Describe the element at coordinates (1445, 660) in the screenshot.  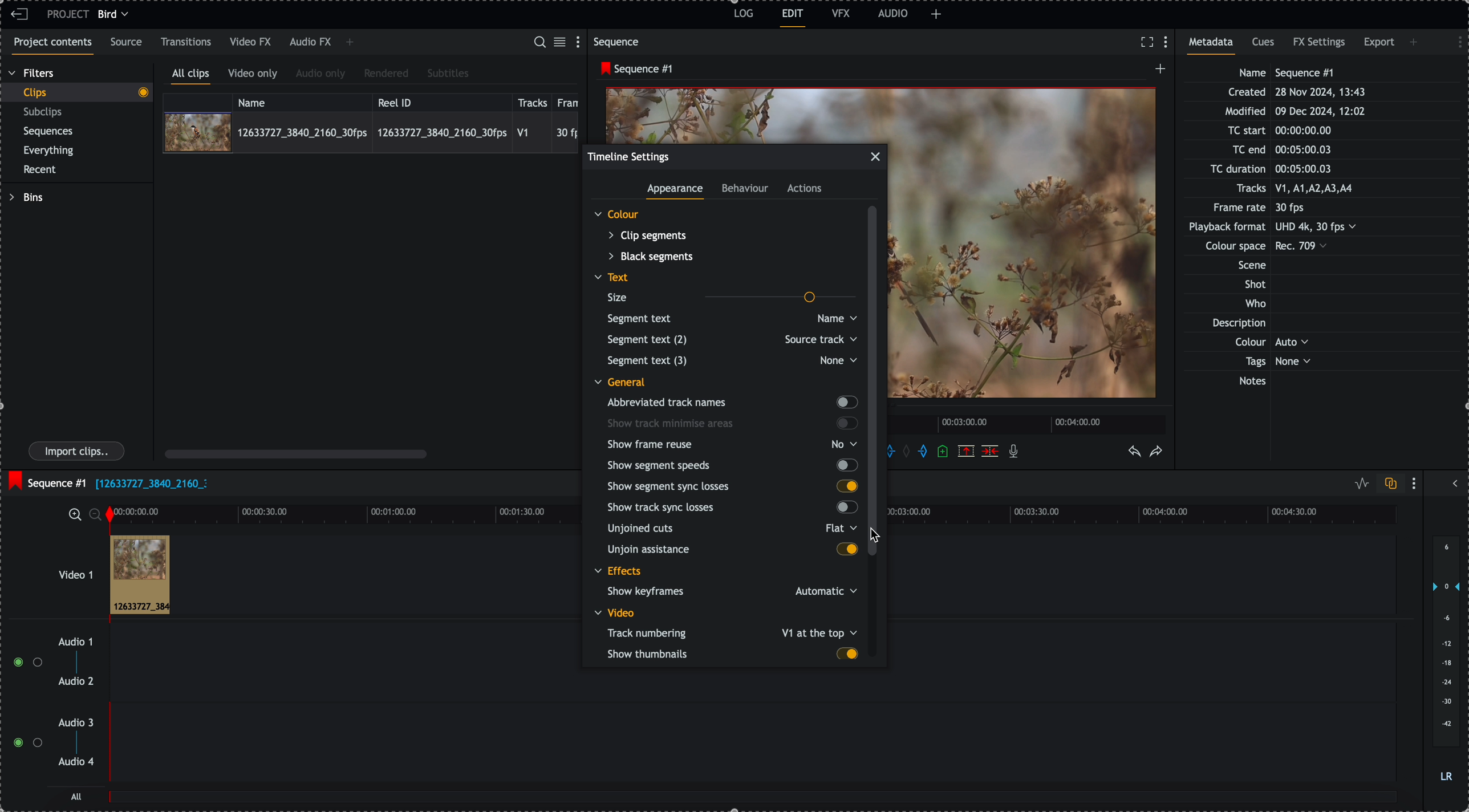
I see `audio output level (d/B)` at that location.